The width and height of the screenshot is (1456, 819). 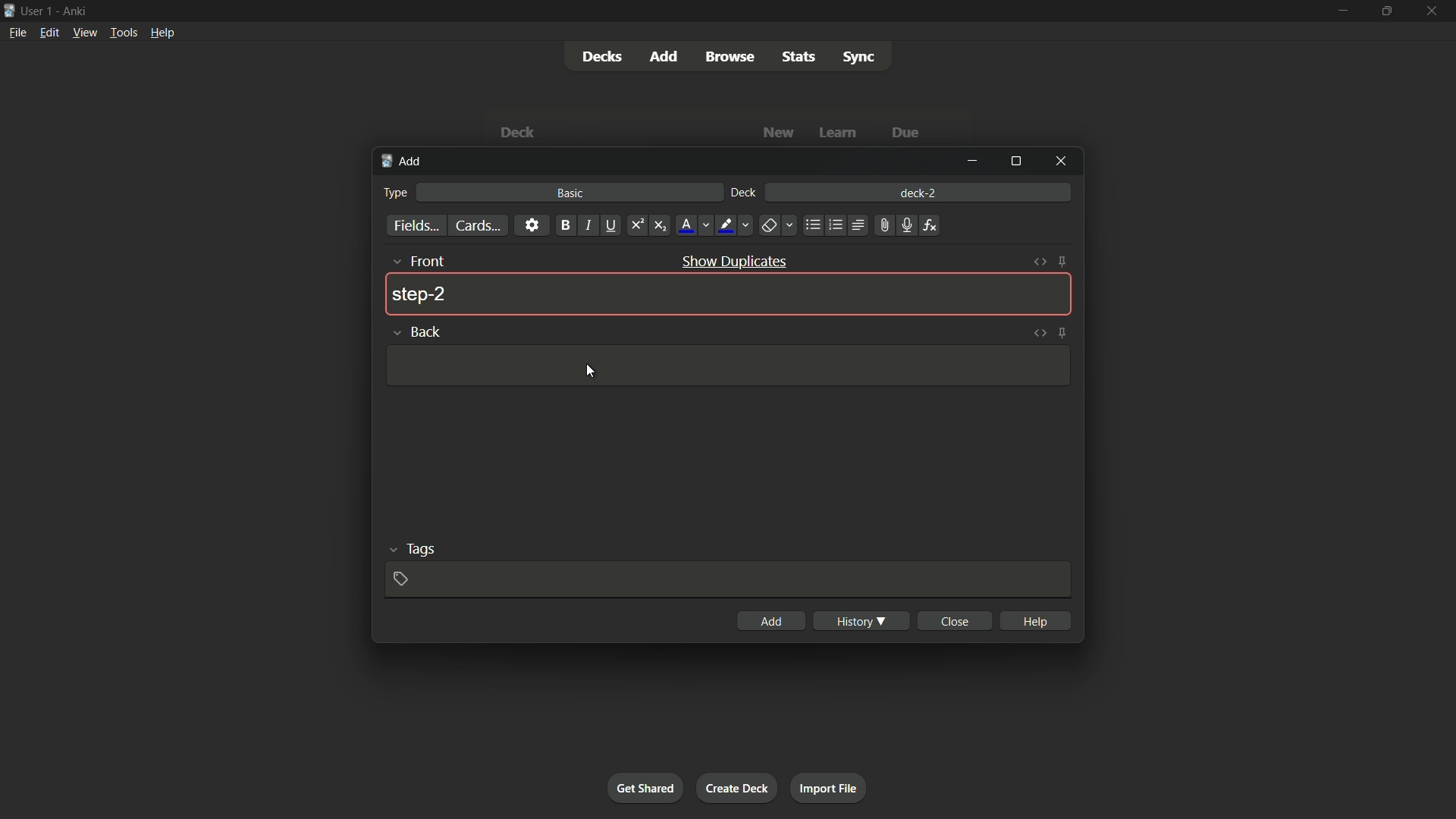 I want to click on toggle sticky, so click(x=1064, y=262).